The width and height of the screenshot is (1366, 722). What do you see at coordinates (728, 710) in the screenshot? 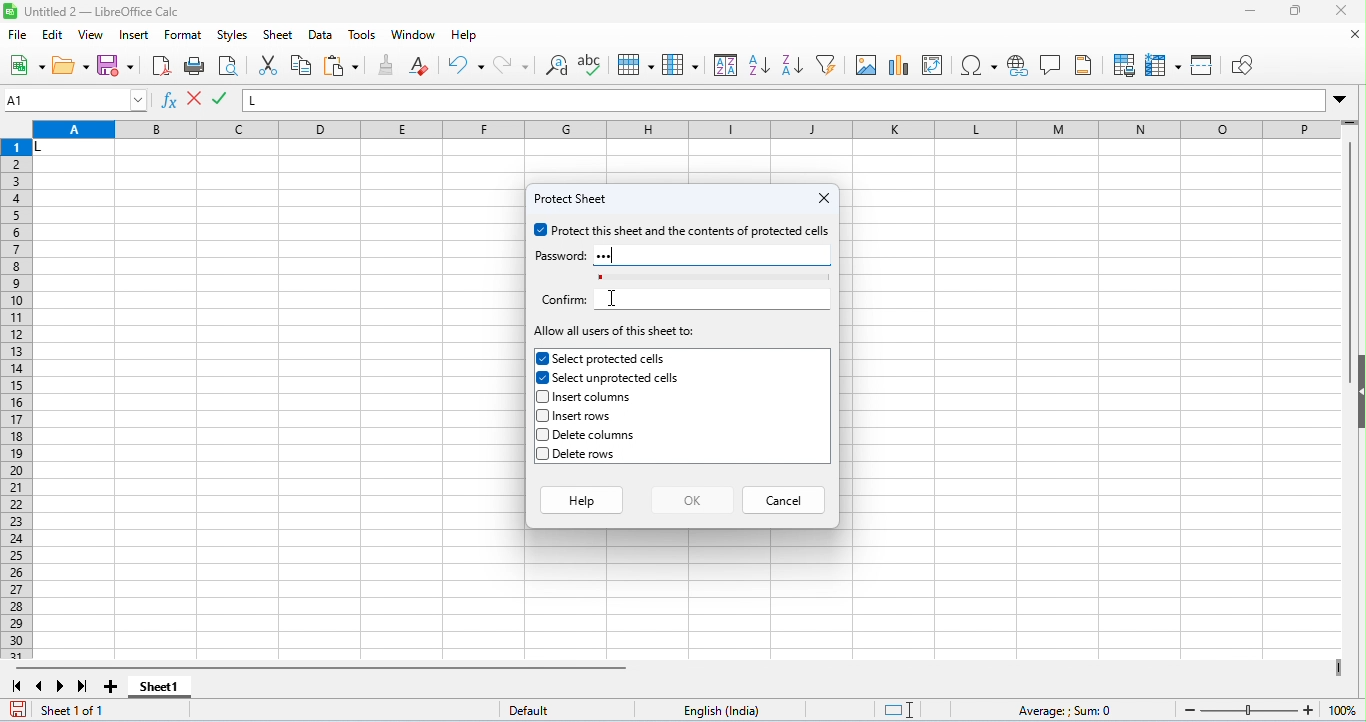
I see `language` at bounding box center [728, 710].